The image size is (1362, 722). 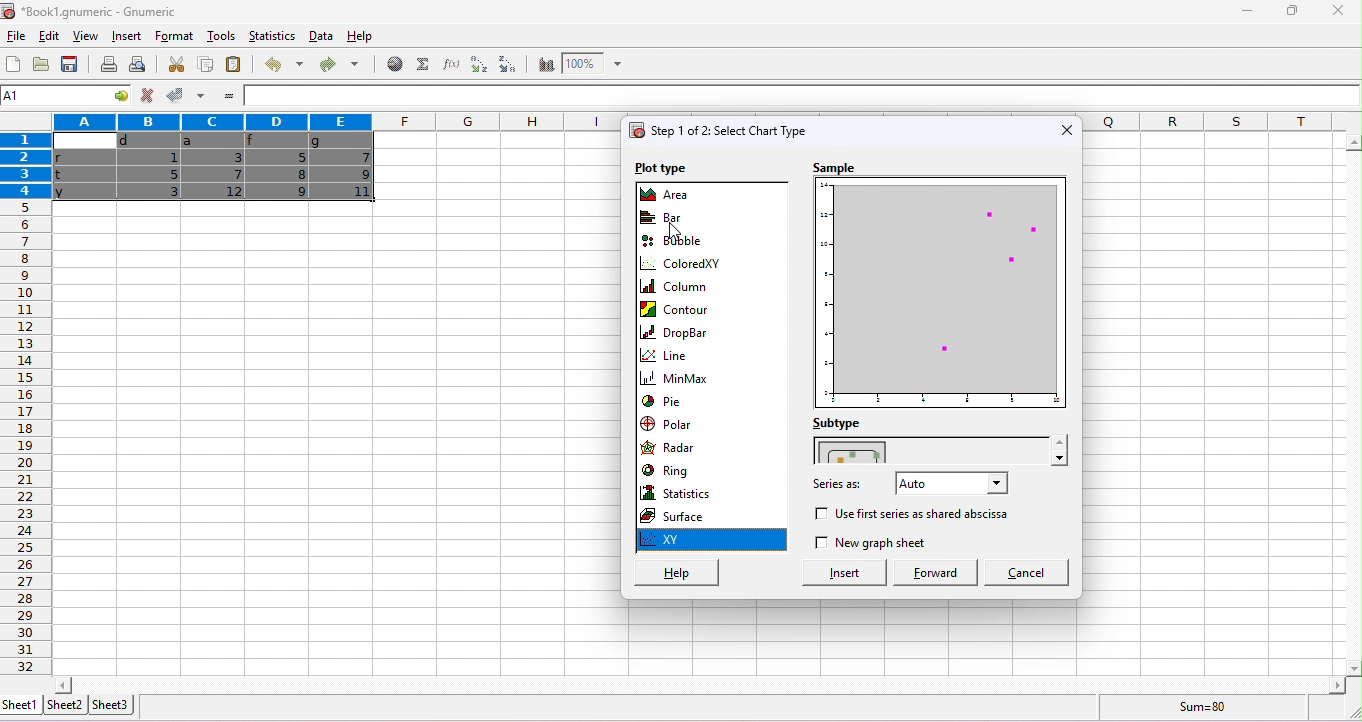 I want to click on minimize, so click(x=1247, y=14).